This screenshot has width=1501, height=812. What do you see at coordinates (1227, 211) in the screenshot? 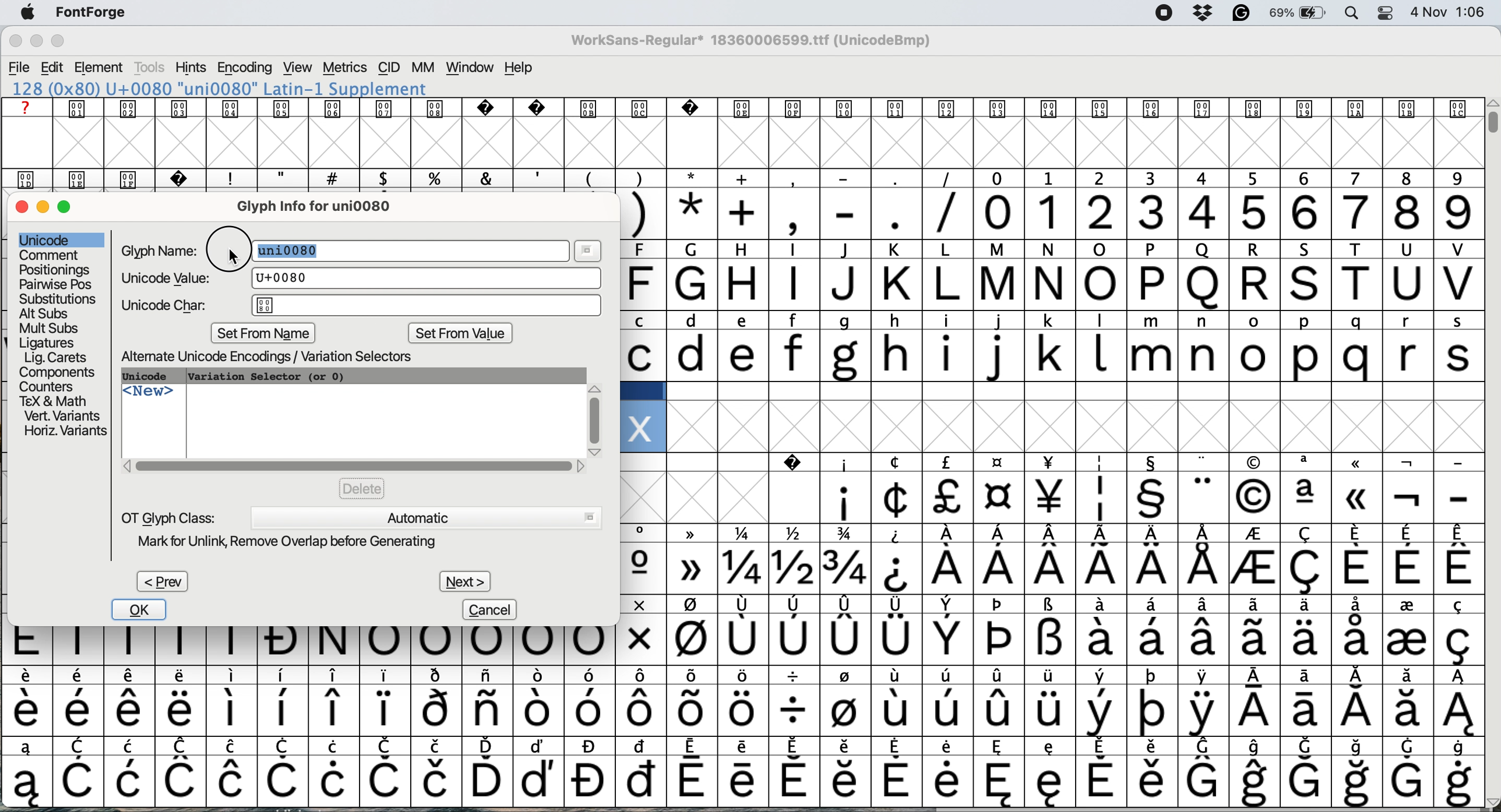
I see `numbers` at bounding box center [1227, 211].